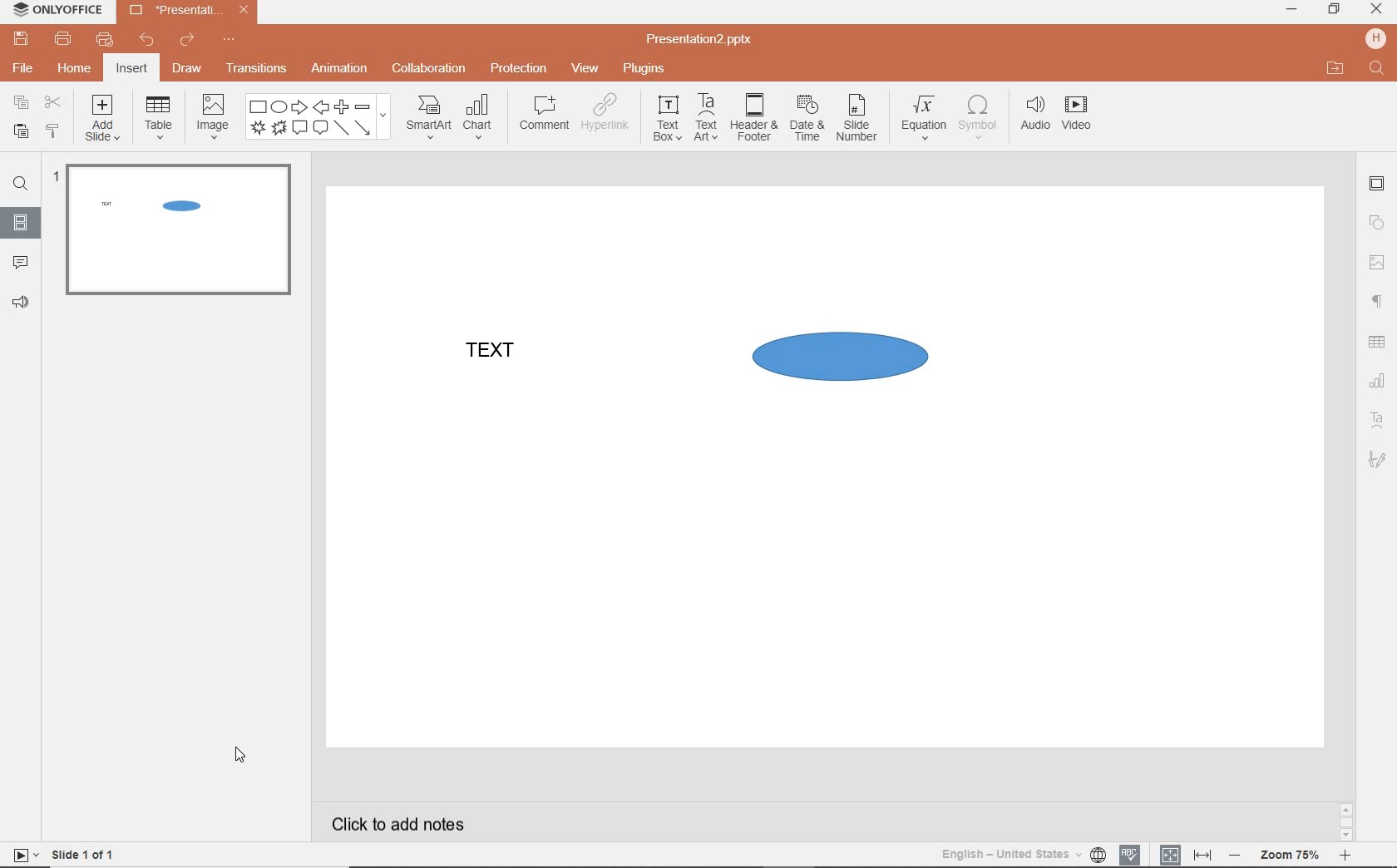  Describe the element at coordinates (24, 69) in the screenshot. I see `file` at that location.